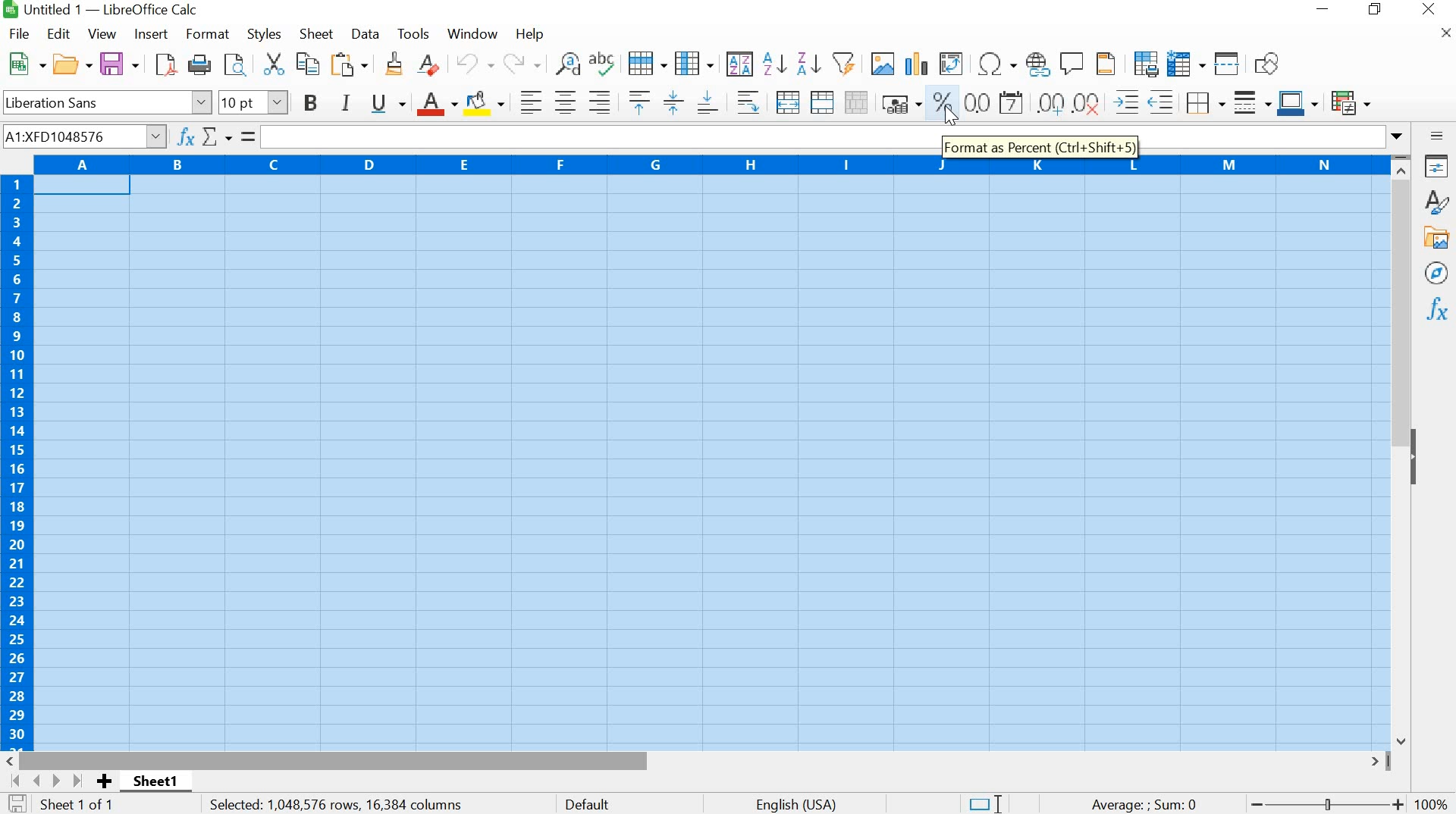 The image size is (1456, 814). Describe the element at coordinates (568, 64) in the screenshot. I see `Find and Replace` at that location.